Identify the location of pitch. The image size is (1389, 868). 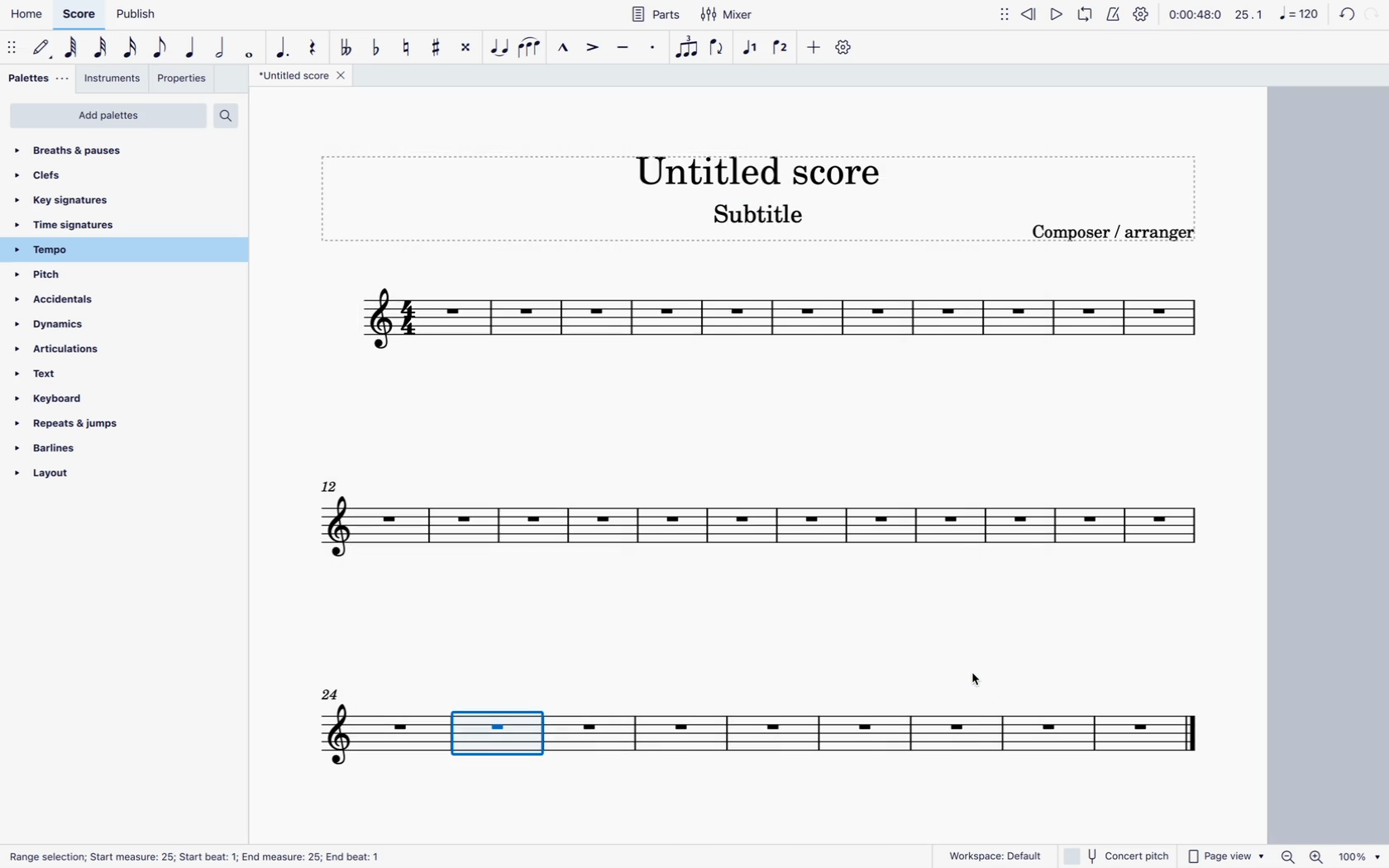
(65, 276).